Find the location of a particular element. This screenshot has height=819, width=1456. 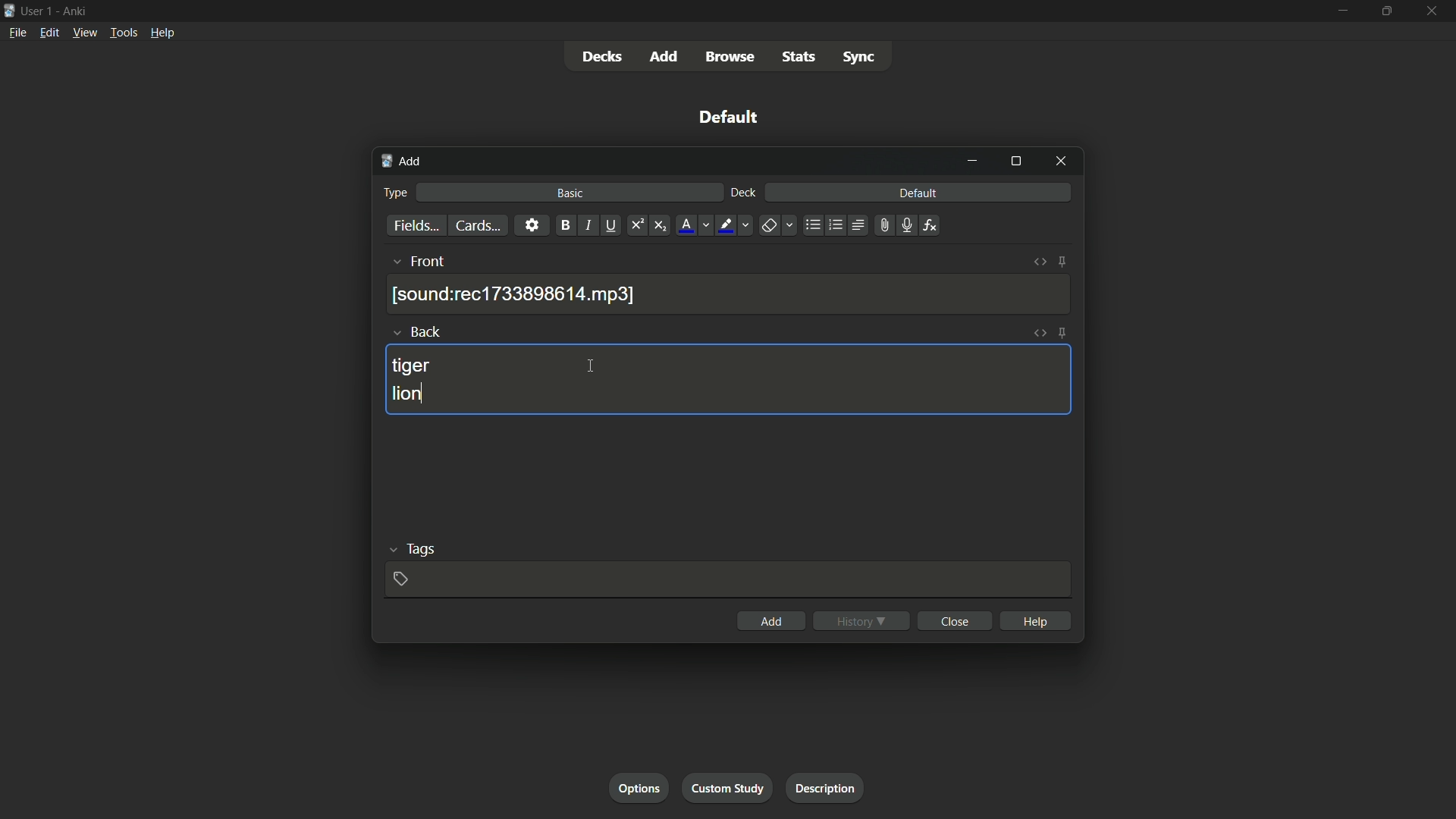

recording saved is located at coordinates (516, 294).